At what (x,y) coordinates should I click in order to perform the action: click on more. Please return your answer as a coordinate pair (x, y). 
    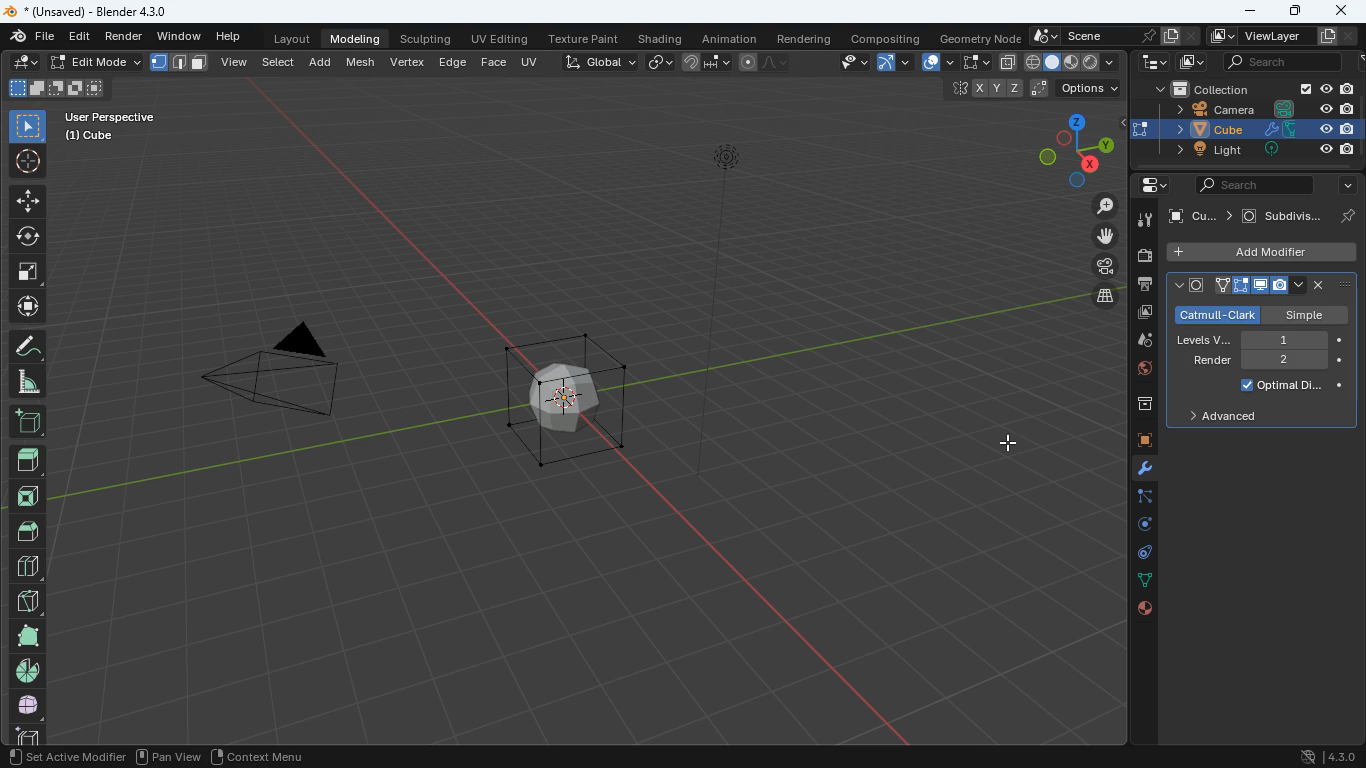
    Looking at the image, I should click on (1347, 186).